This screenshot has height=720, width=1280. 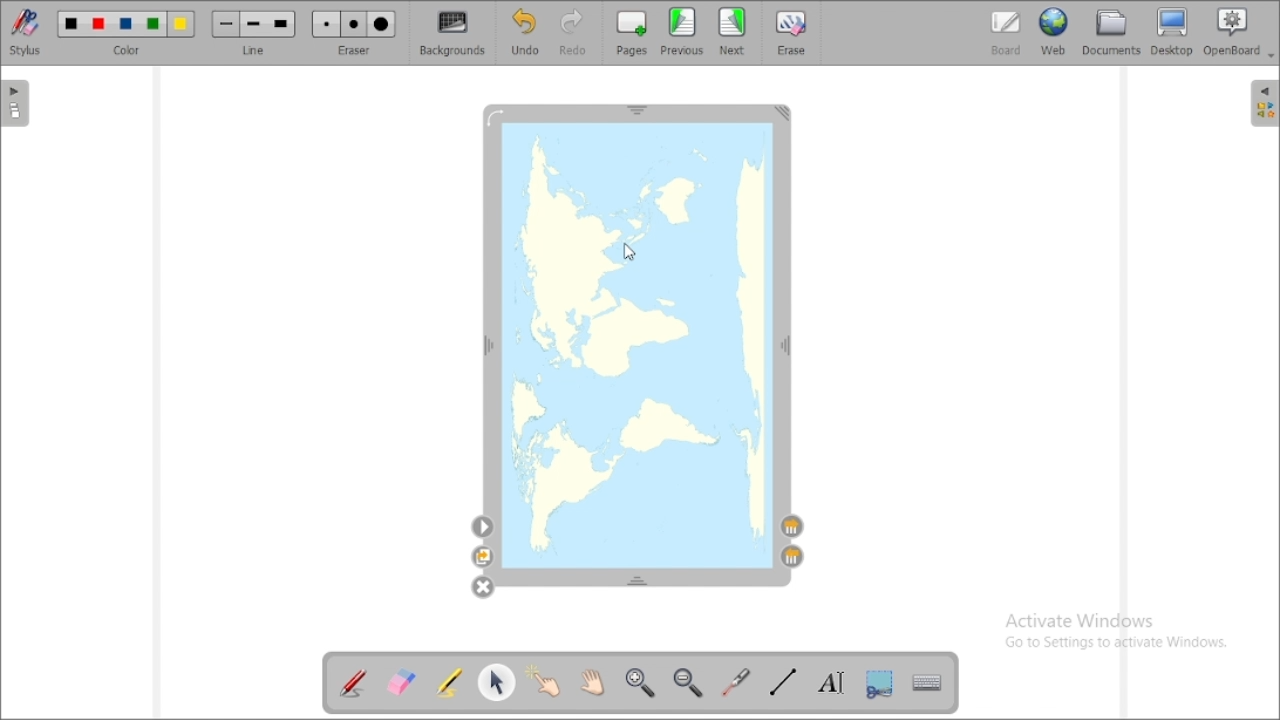 I want to click on stylus, so click(x=25, y=32).